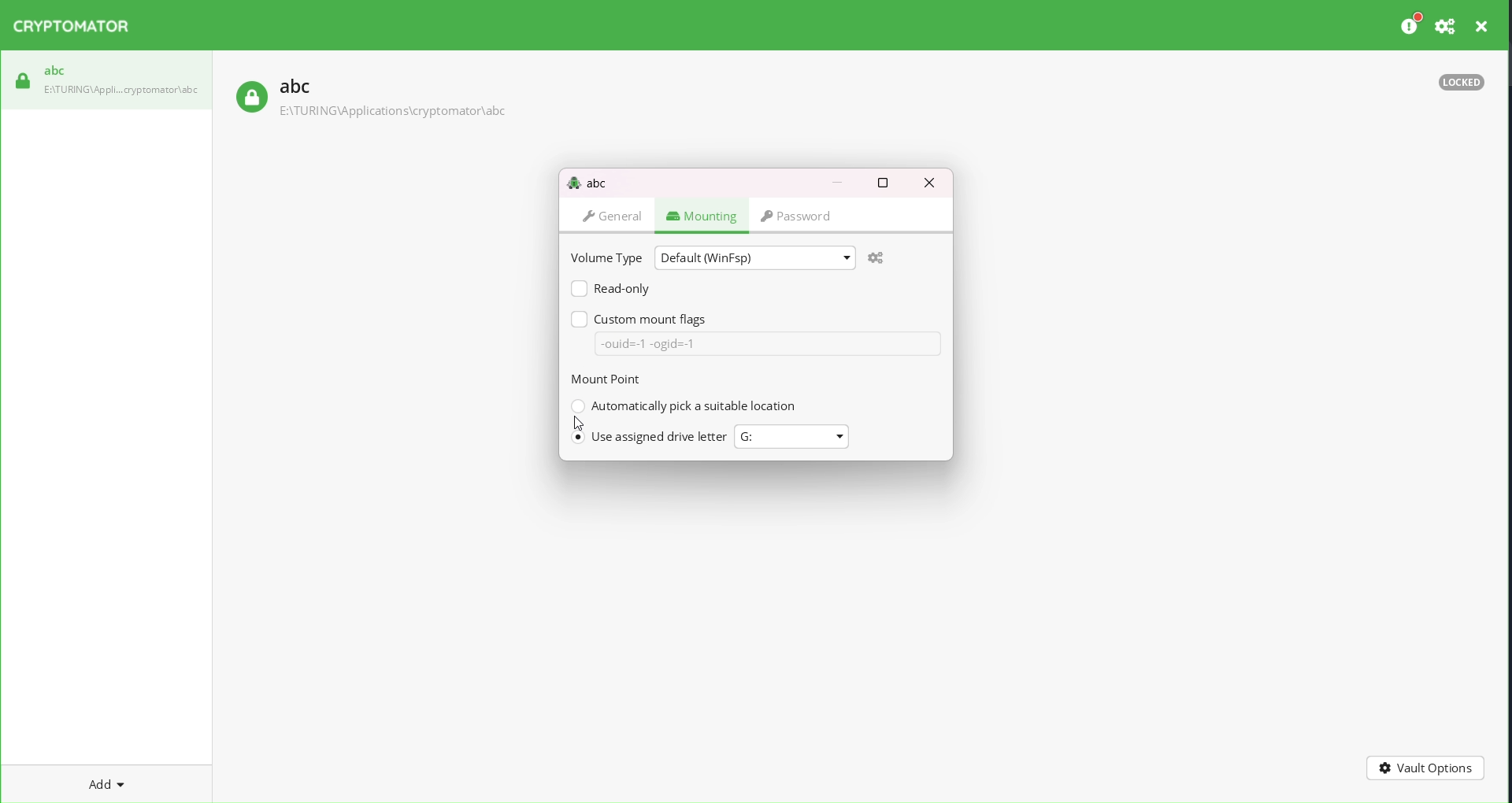  Describe the element at coordinates (250, 97) in the screenshot. I see `locked` at that location.